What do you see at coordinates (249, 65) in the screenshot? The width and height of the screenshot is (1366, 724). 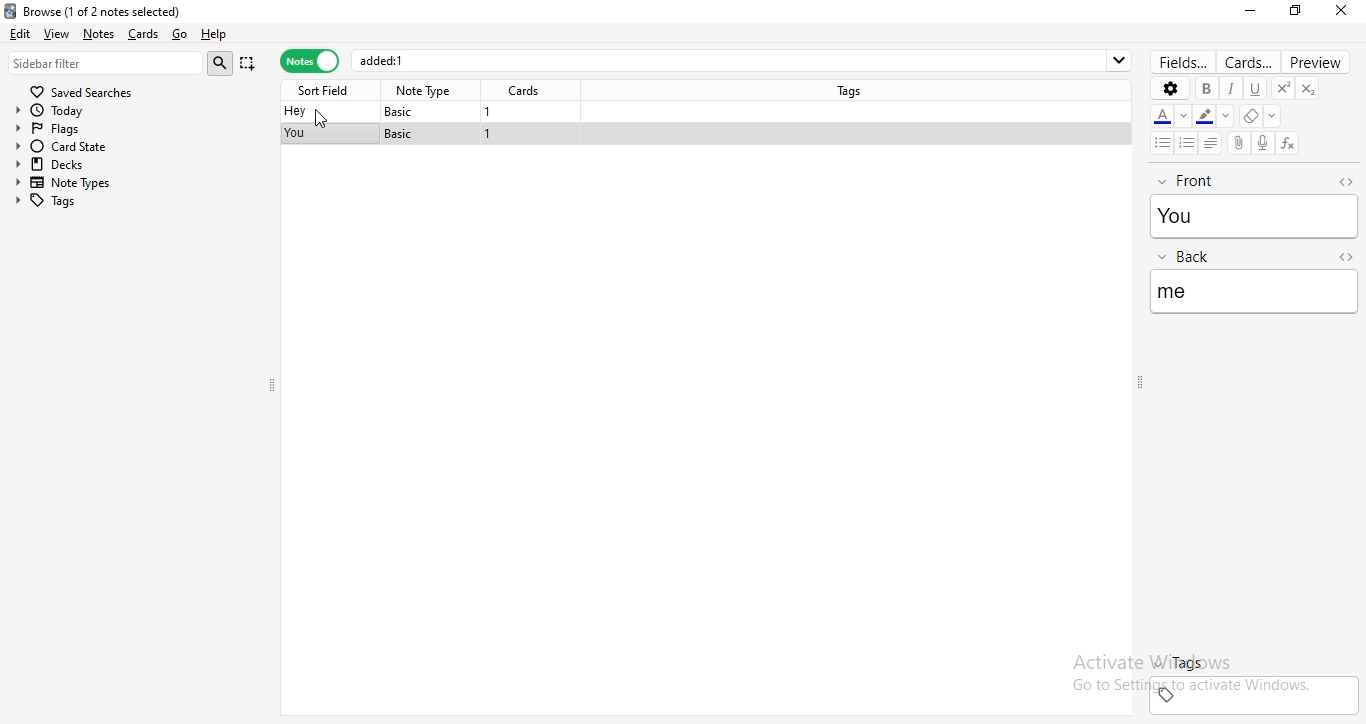 I see `append` at bounding box center [249, 65].